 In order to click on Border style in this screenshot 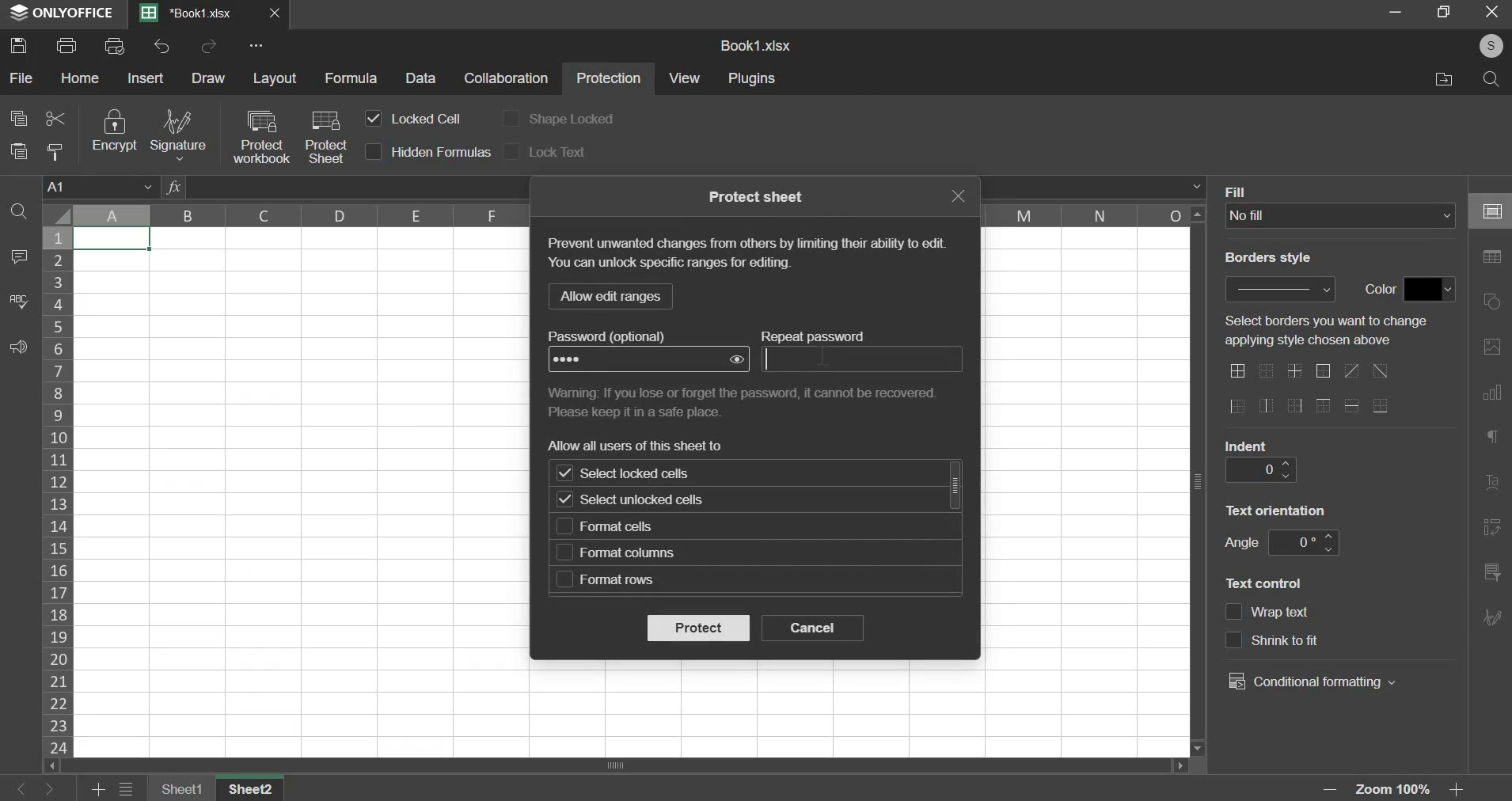, I will do `click(1276, 261)`.